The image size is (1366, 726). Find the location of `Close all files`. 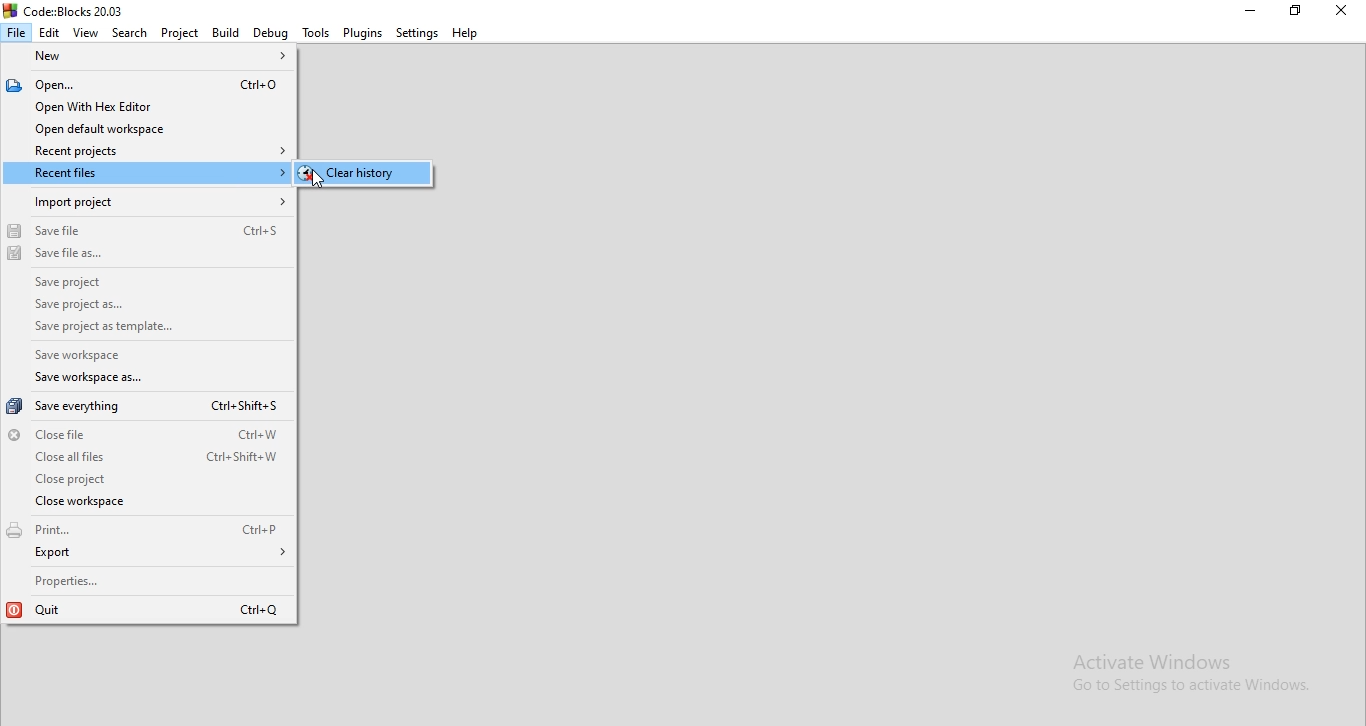

Close all files is located at coordinates (146, 457).